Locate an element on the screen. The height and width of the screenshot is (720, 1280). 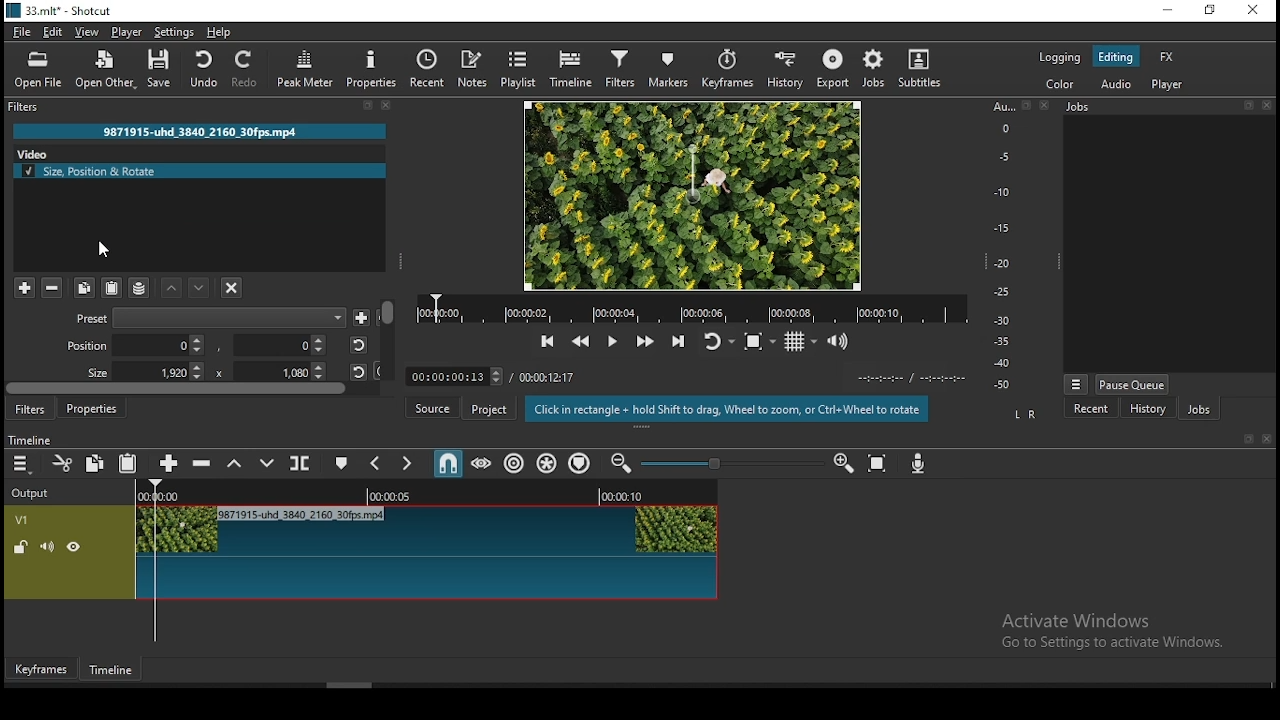
fx is located at coordinates (1167, 57).